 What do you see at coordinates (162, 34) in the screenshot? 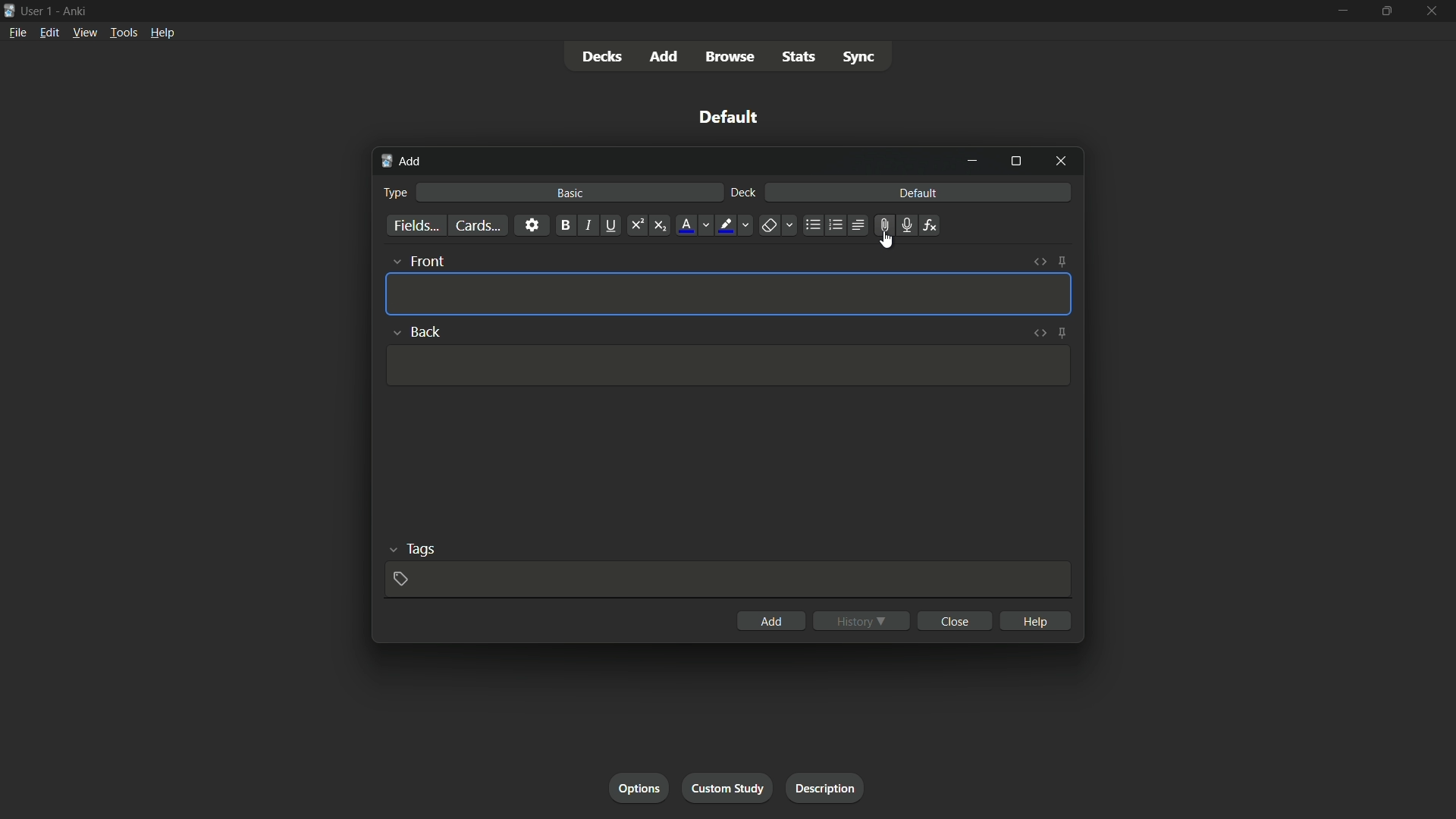
I see `help menu` at bounding box center [162, 34].